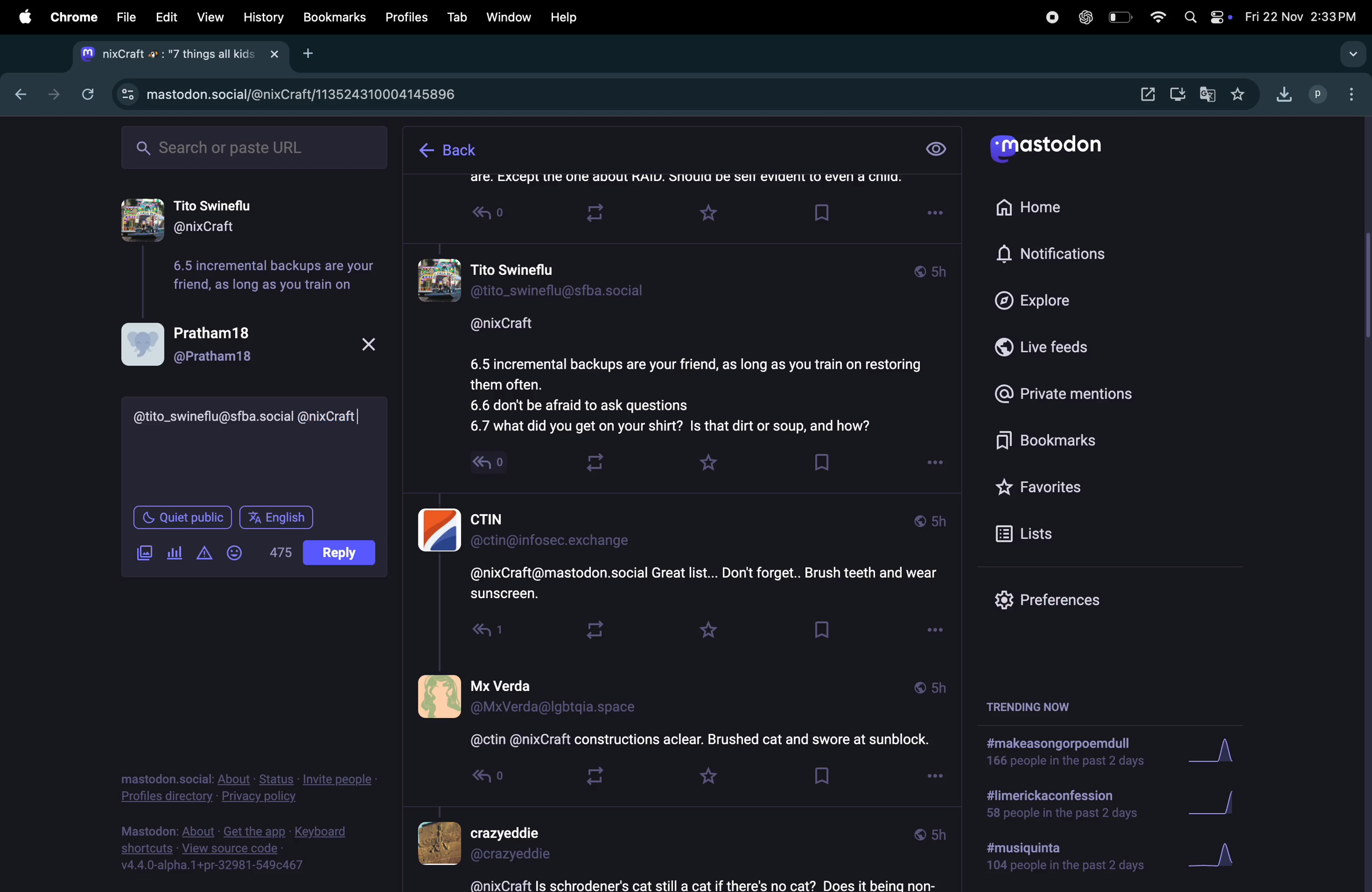  I want to click on Favourite, so click(712, 214).